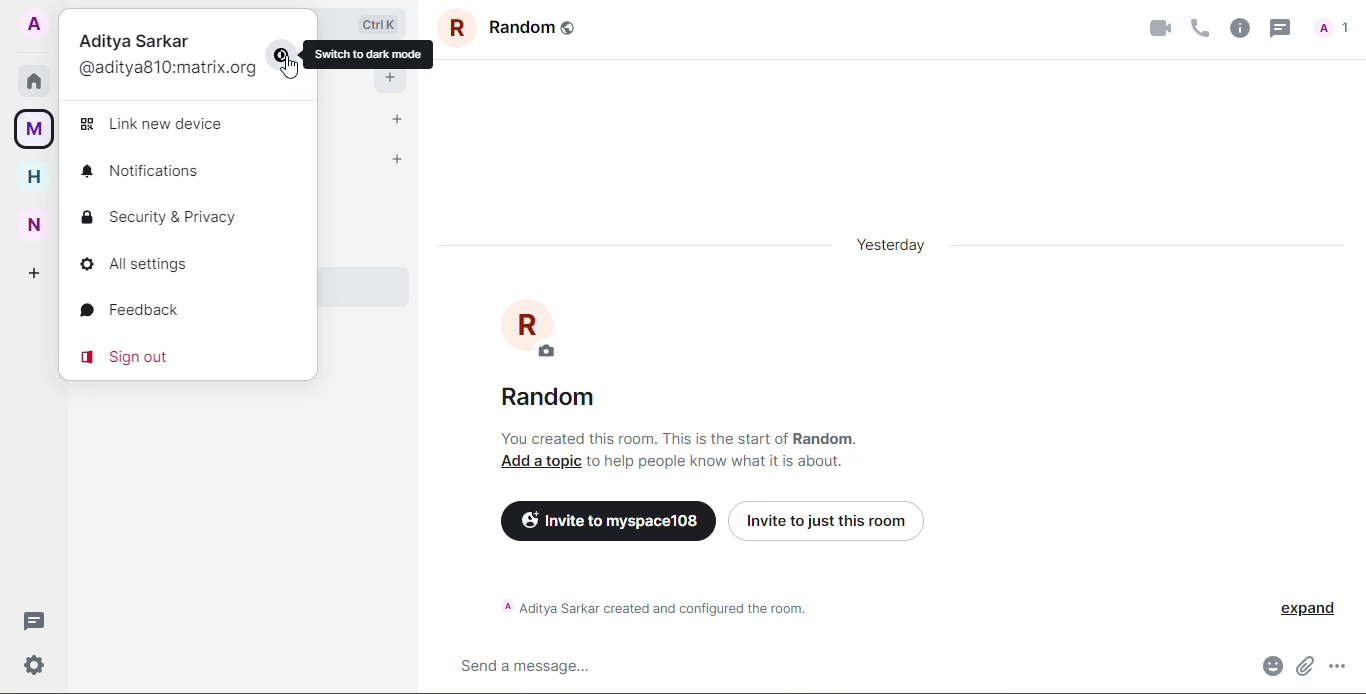 Image resolution: width=1366 pixels, height=694 pixels. I want to click on Cursor, so click(292, 68).